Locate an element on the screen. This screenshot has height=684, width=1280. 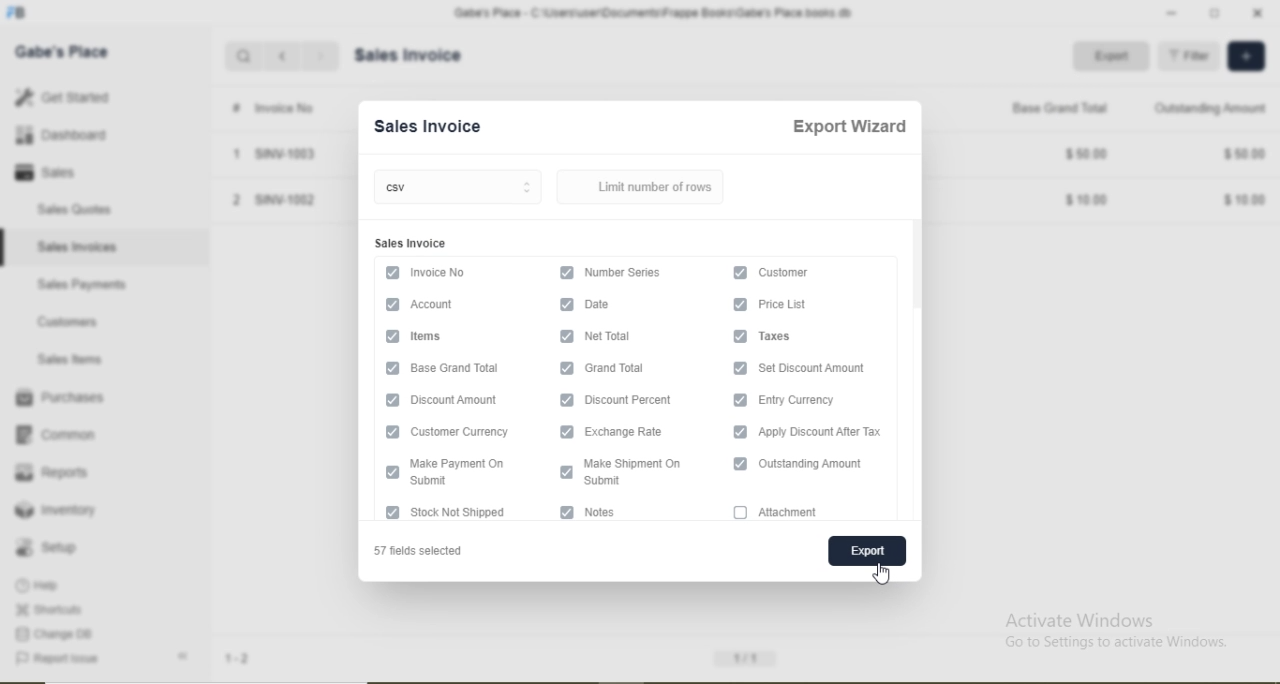
Help is located at coordinates (50, 584).